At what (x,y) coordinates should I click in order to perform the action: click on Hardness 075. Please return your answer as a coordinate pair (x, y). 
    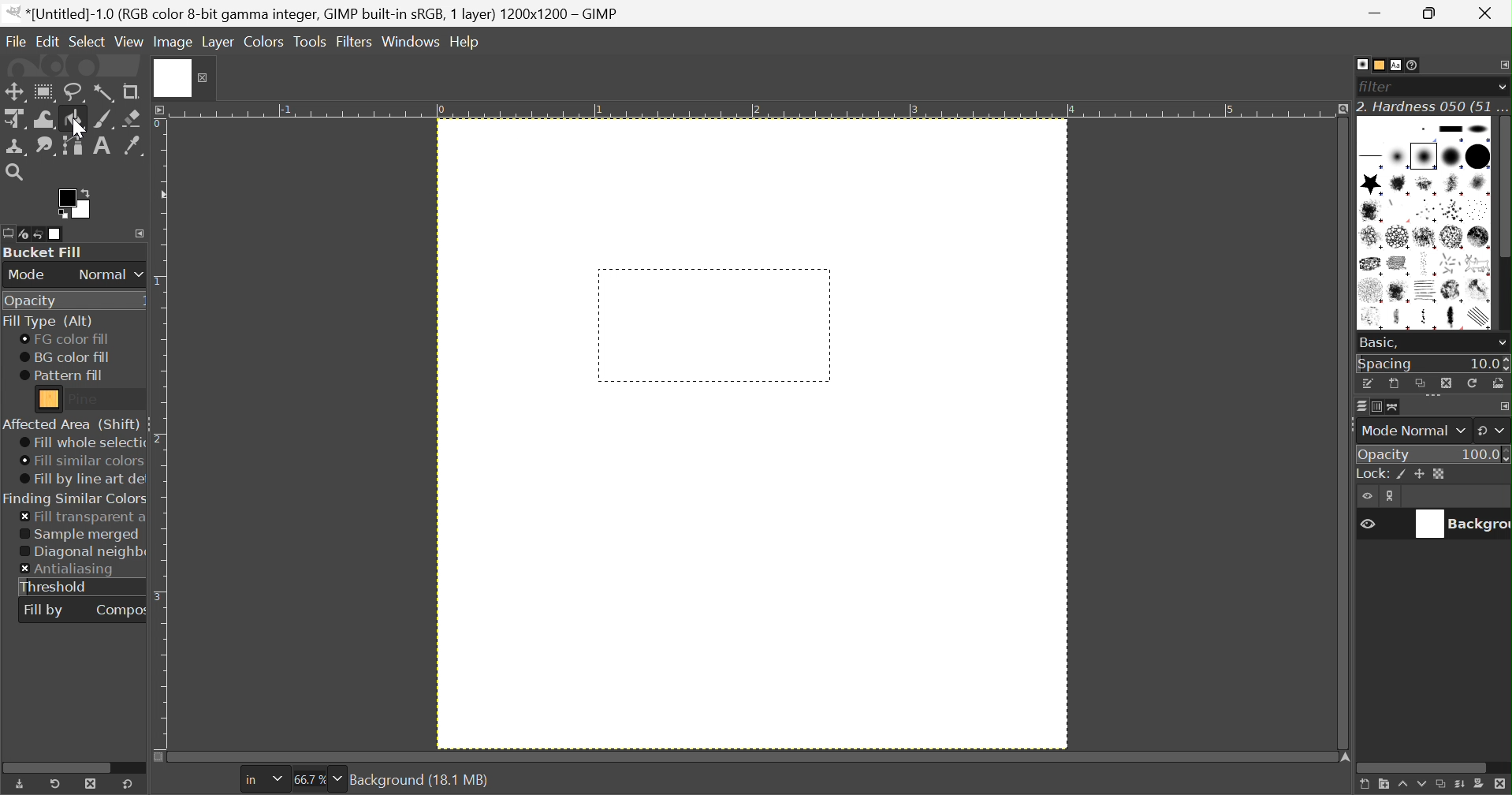
    Looking at the image, I should click on (1477, 156).